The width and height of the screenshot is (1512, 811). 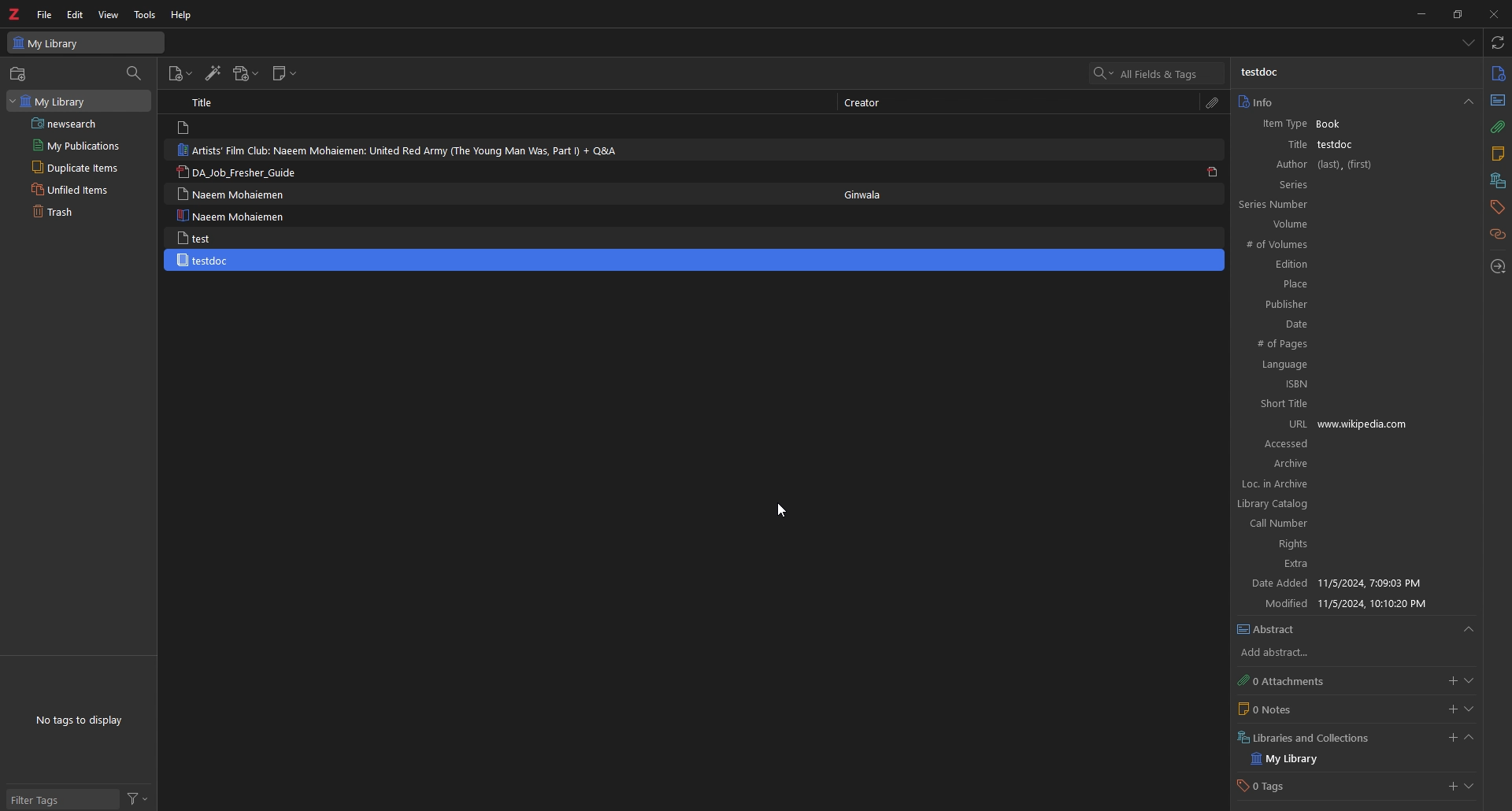 I want to click on show, so click(x=1469, y=709).